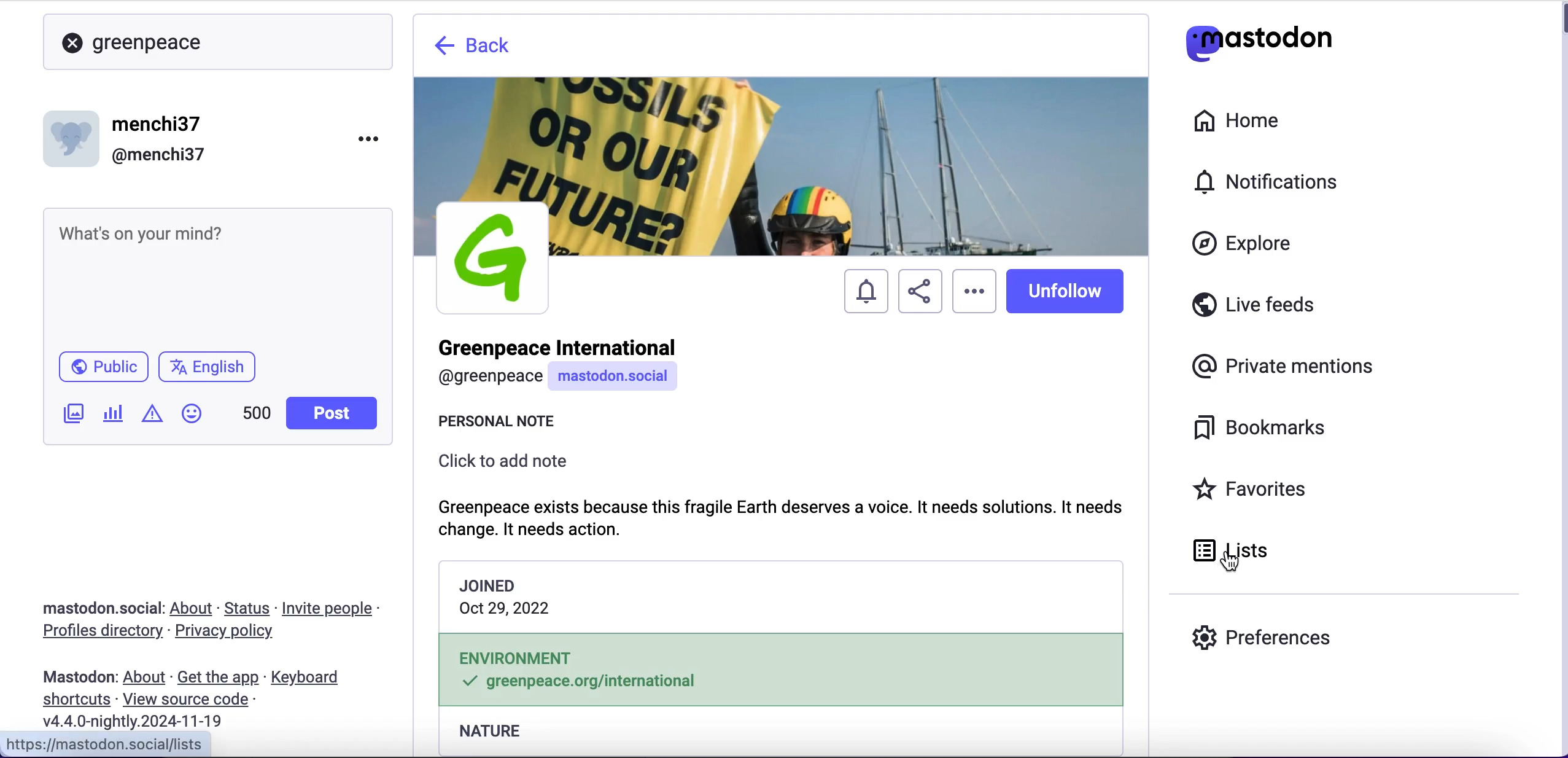 The width and height of the screenshot is (1568, 758). I want to click on characters, so click(257, 415).